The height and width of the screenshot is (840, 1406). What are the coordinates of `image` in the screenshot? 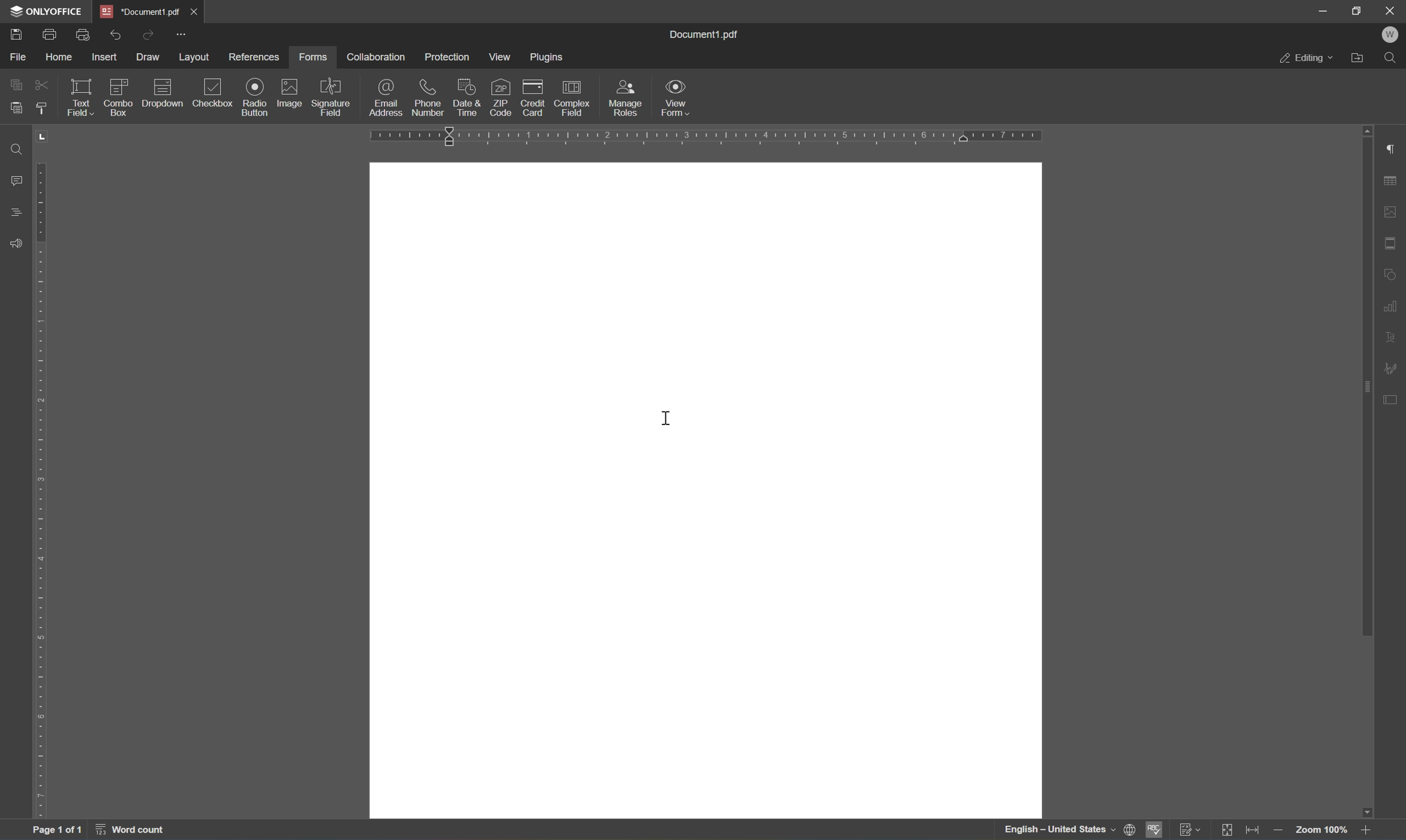 It's located at (289, 97).